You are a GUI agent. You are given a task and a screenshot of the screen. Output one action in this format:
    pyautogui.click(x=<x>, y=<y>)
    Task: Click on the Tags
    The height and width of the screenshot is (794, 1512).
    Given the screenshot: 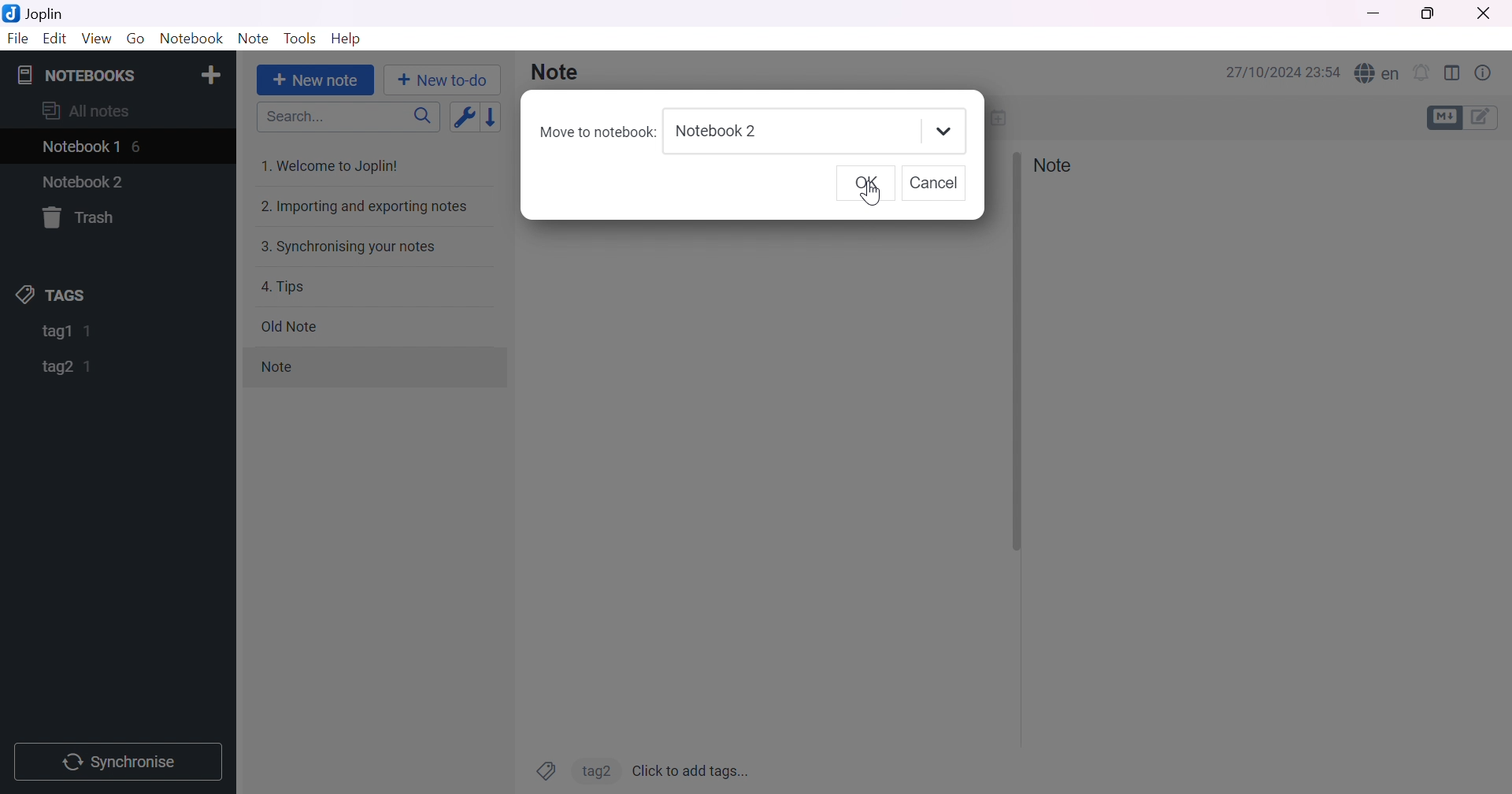 What is the action you would take?
    pyautogui.click(x=546, y=770)
    